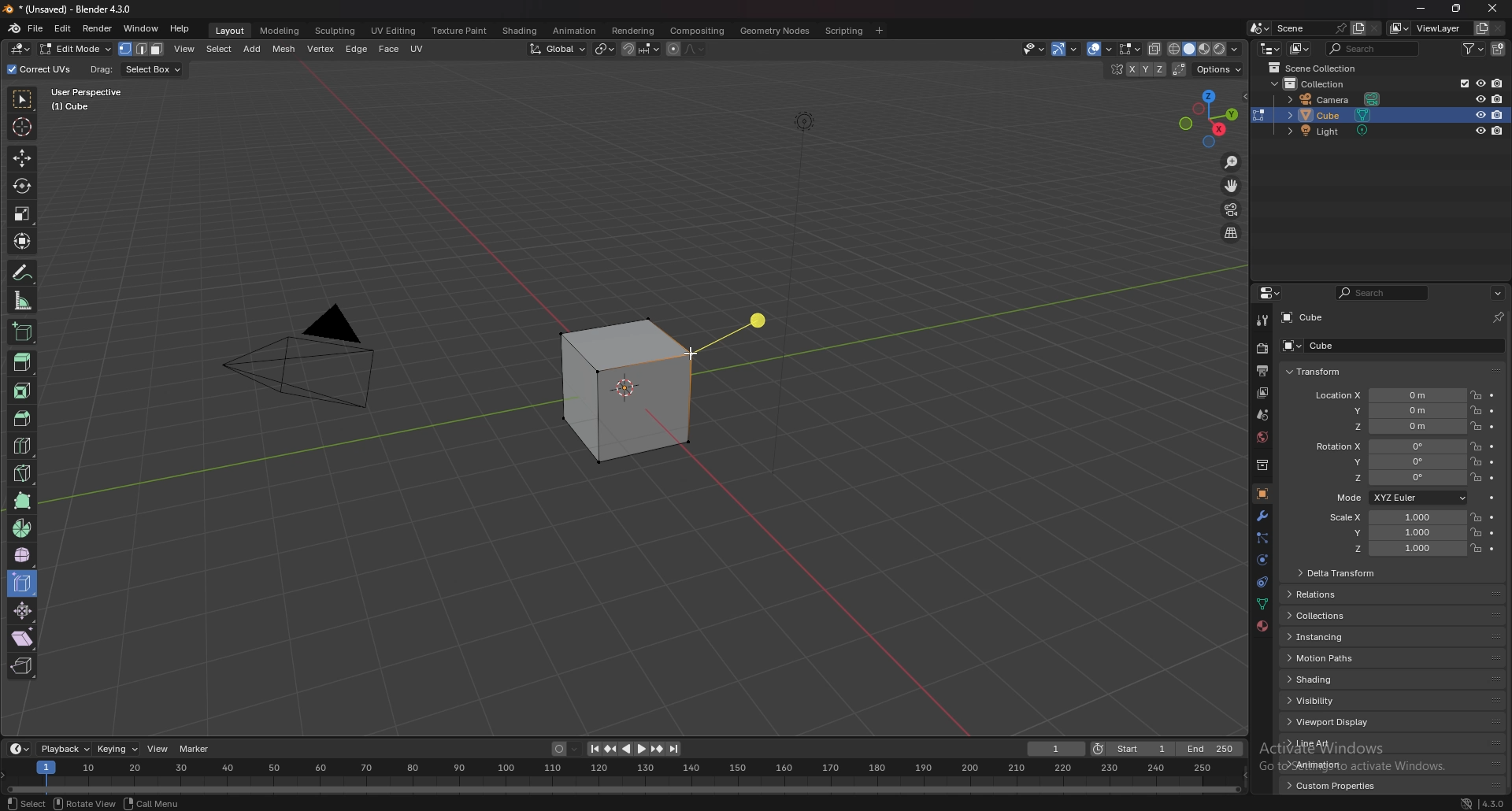  What do you see at coordinates (254, 49) in the screenshot?
I see `add` at bounding box center [254, 49].